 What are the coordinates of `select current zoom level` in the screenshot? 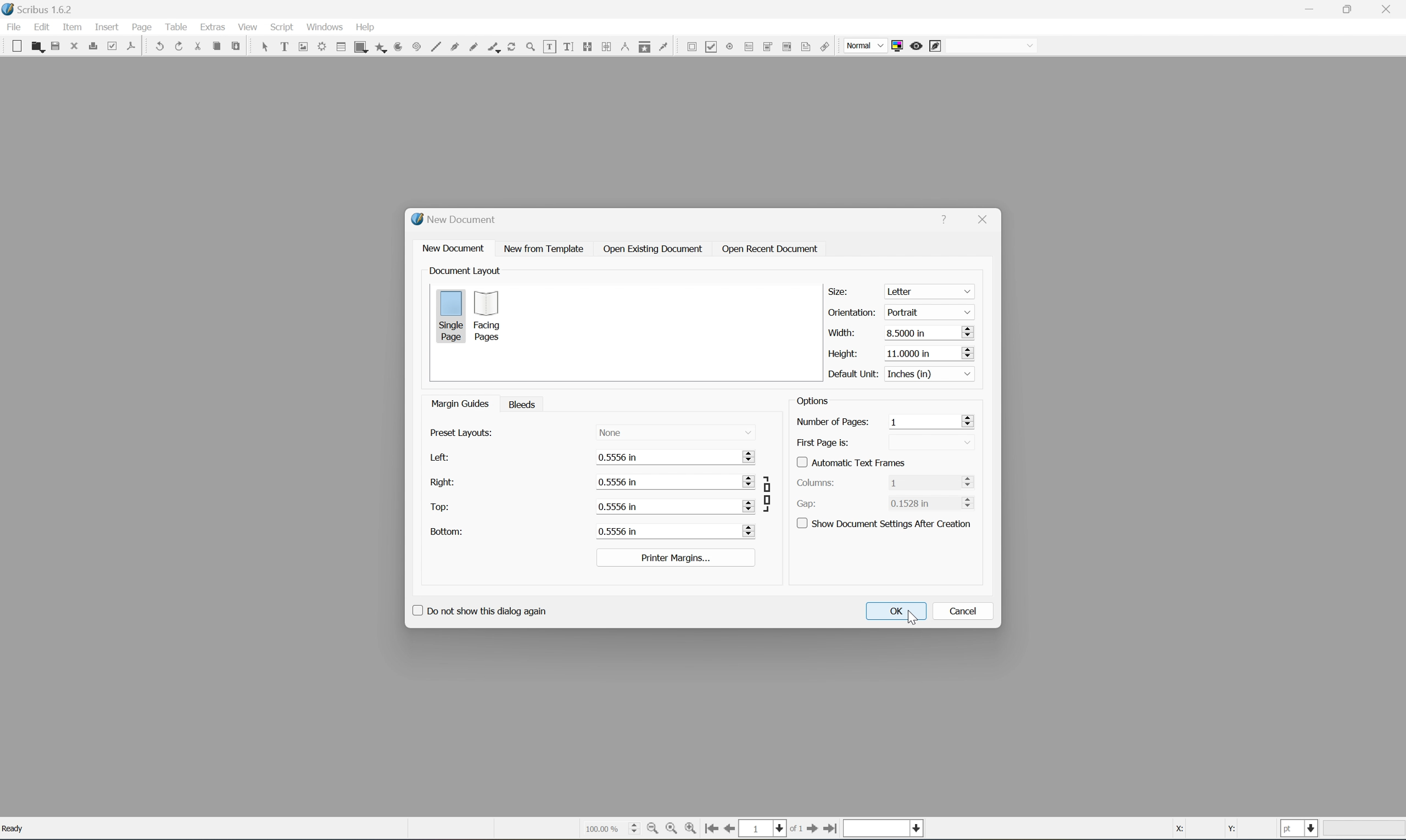 It's located at (612, 831).